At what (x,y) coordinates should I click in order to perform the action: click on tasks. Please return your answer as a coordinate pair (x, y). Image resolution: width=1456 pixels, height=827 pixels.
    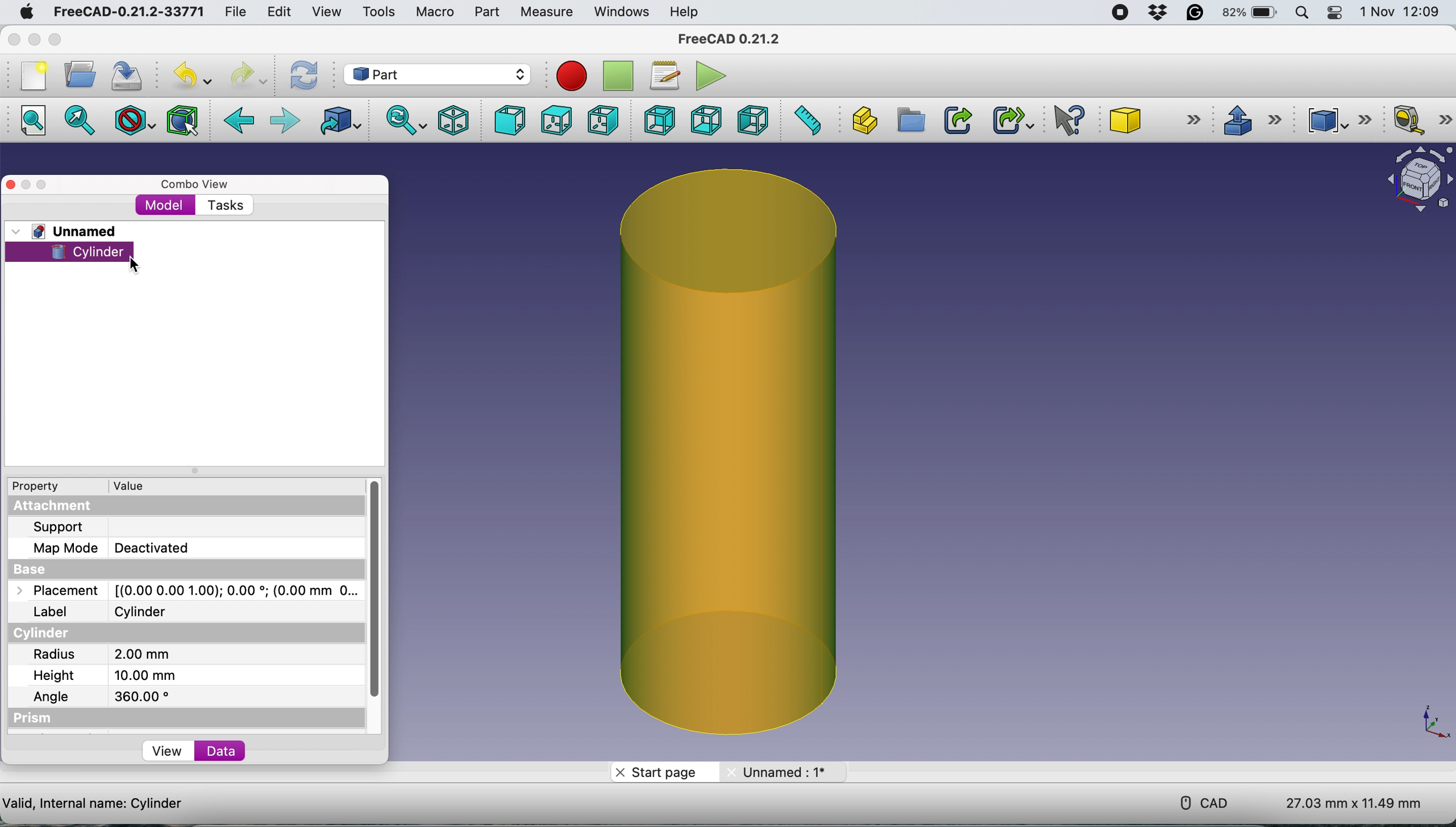
    Looking at the image, I should click on (224, 206).